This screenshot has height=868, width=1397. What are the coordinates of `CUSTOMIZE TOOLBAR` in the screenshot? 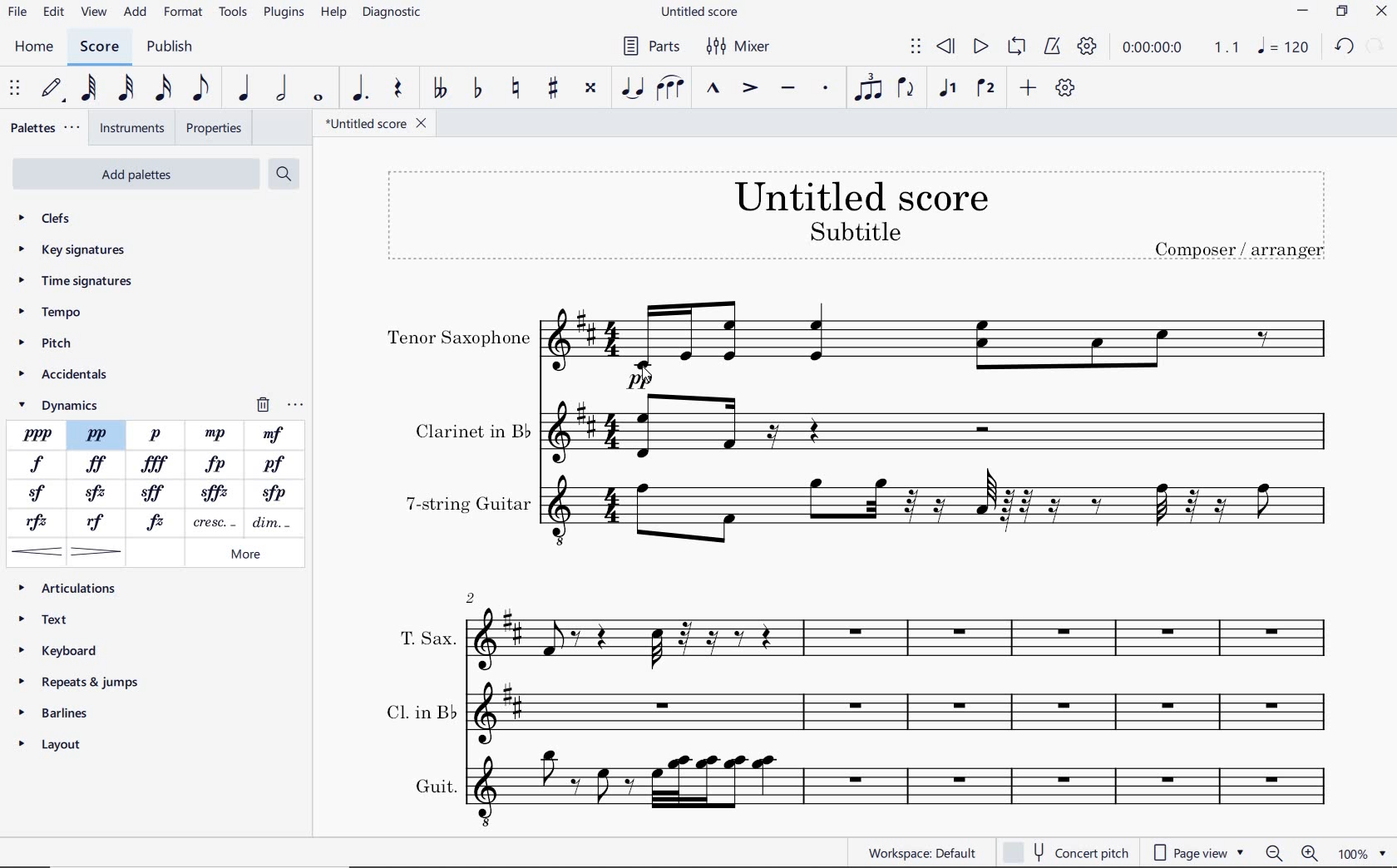 It's located at (1064, 87).